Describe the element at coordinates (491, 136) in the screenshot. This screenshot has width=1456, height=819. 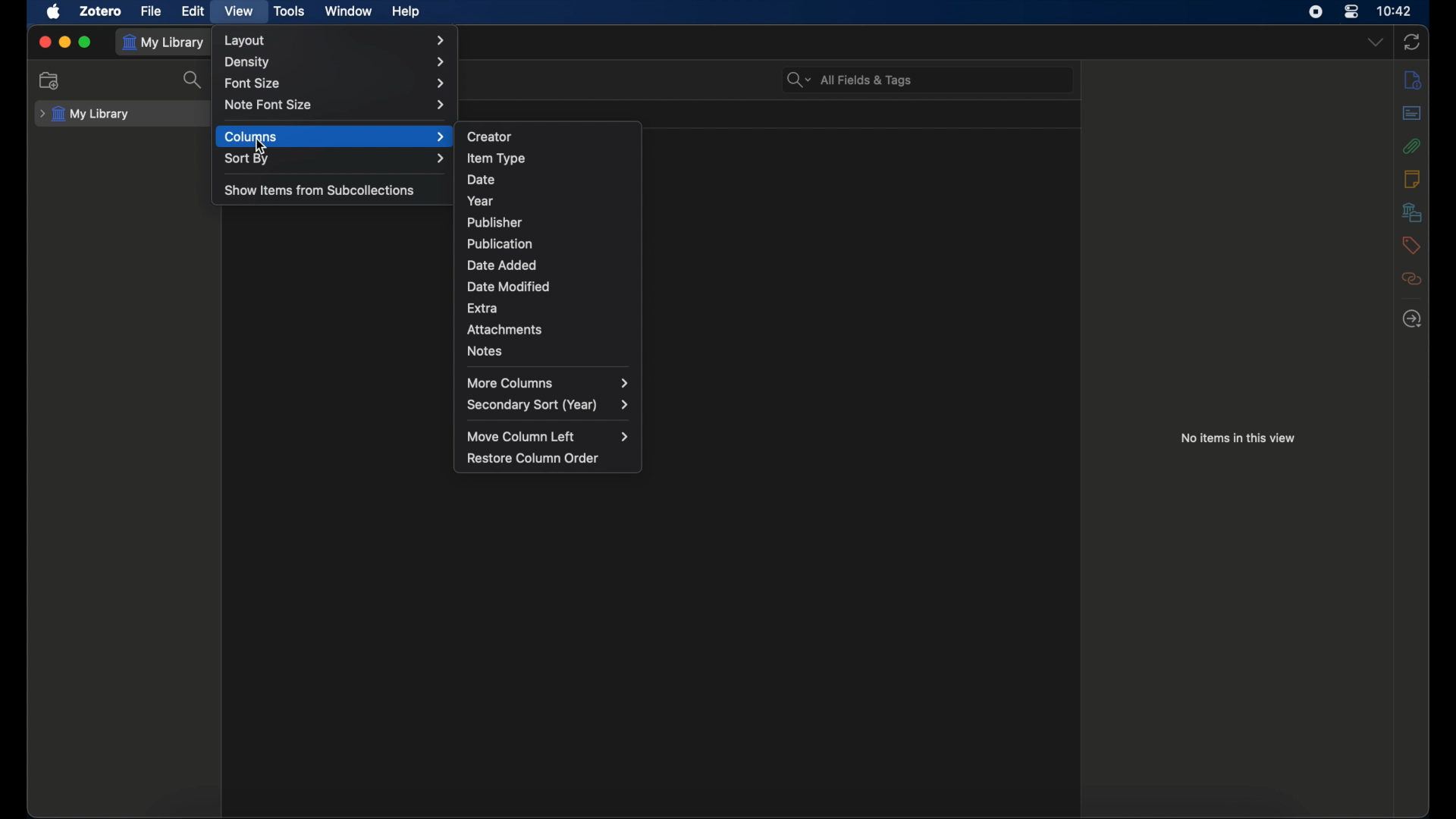
I see `creator` at that location.